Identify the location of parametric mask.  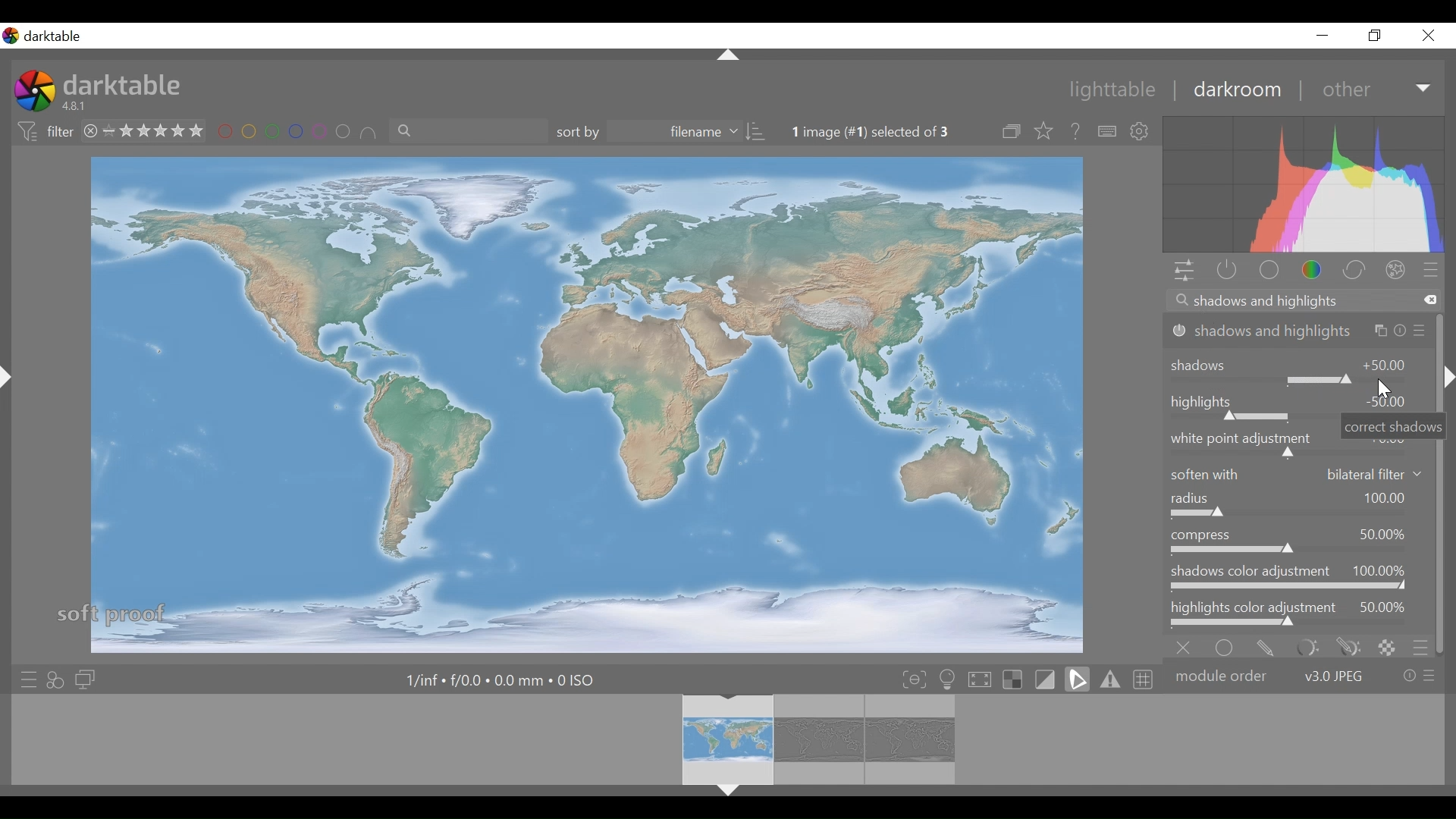
(1304, 647).